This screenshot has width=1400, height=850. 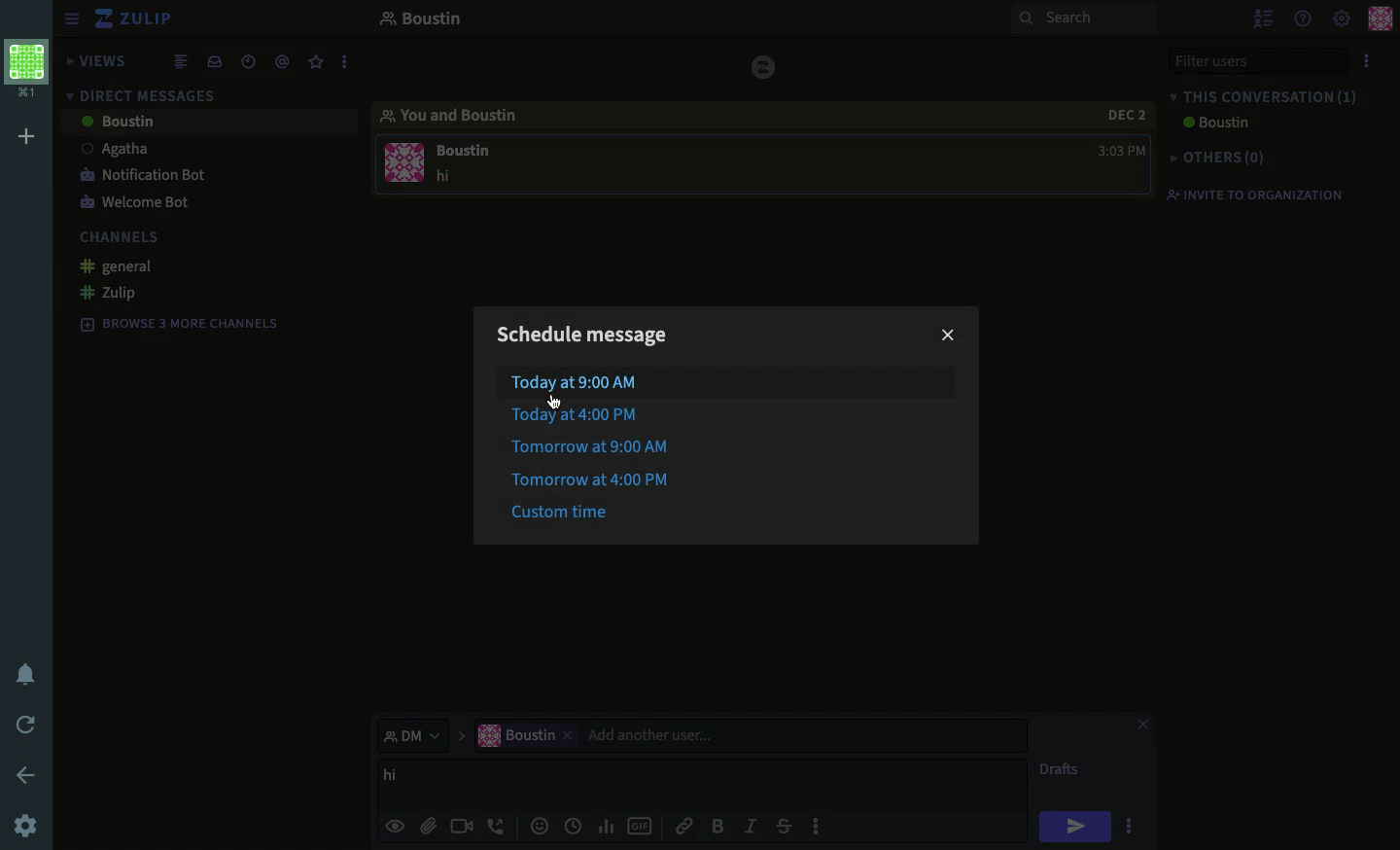 I want to click on user profile, so click(x=1381, y=18).